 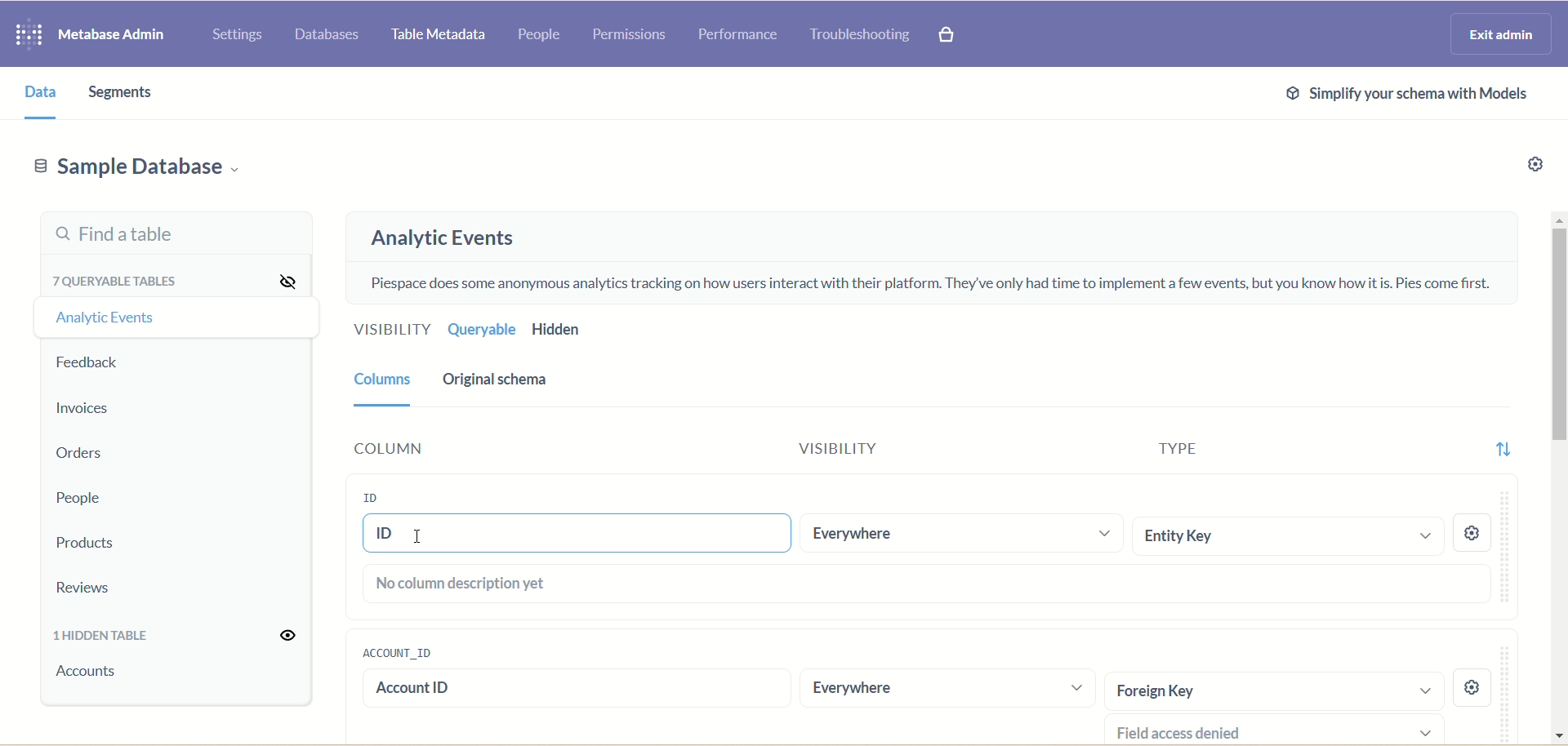 What do you see at coordinates (111, 280) in the screenshot?
I see `7 queryable tables` at bounding box center [111, 280].